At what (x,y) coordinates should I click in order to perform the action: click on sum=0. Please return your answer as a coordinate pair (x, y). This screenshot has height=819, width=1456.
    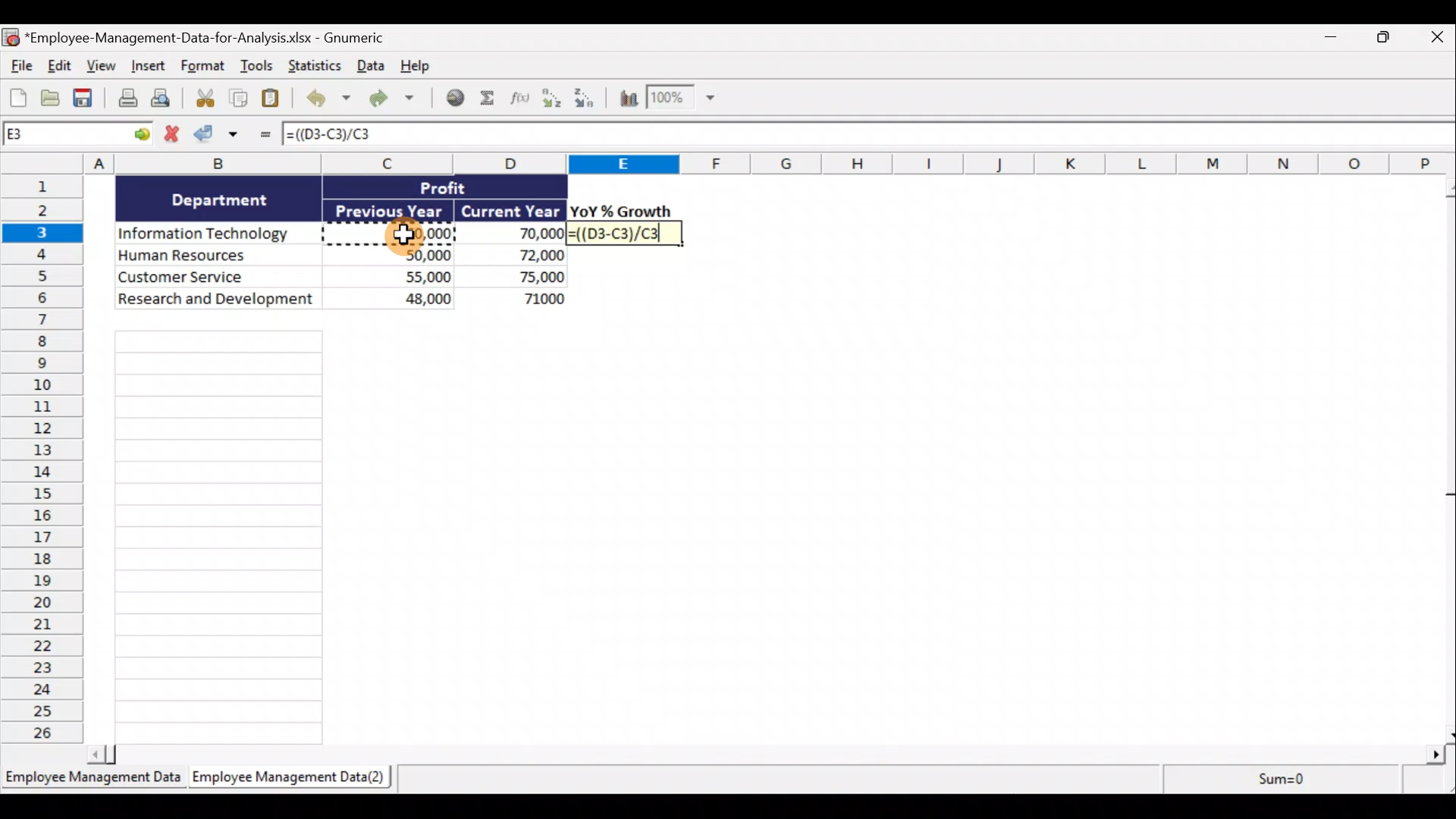
    Looking at the image, I should click on (1307, 781).